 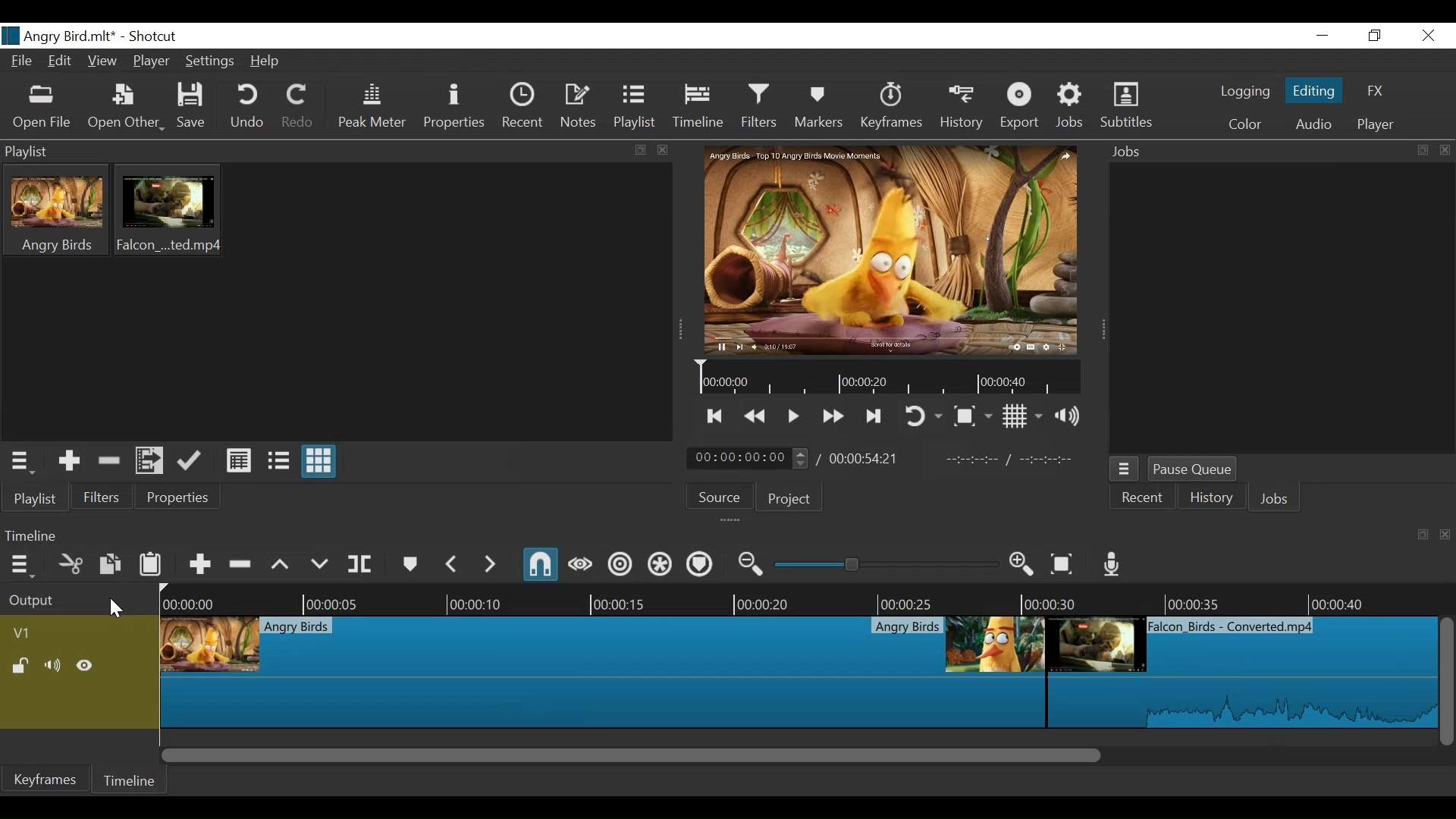 What do you see at coordinates (1068, 418) in the screenshot?
I see `Show volume control` at bounding box center [1068, 418].